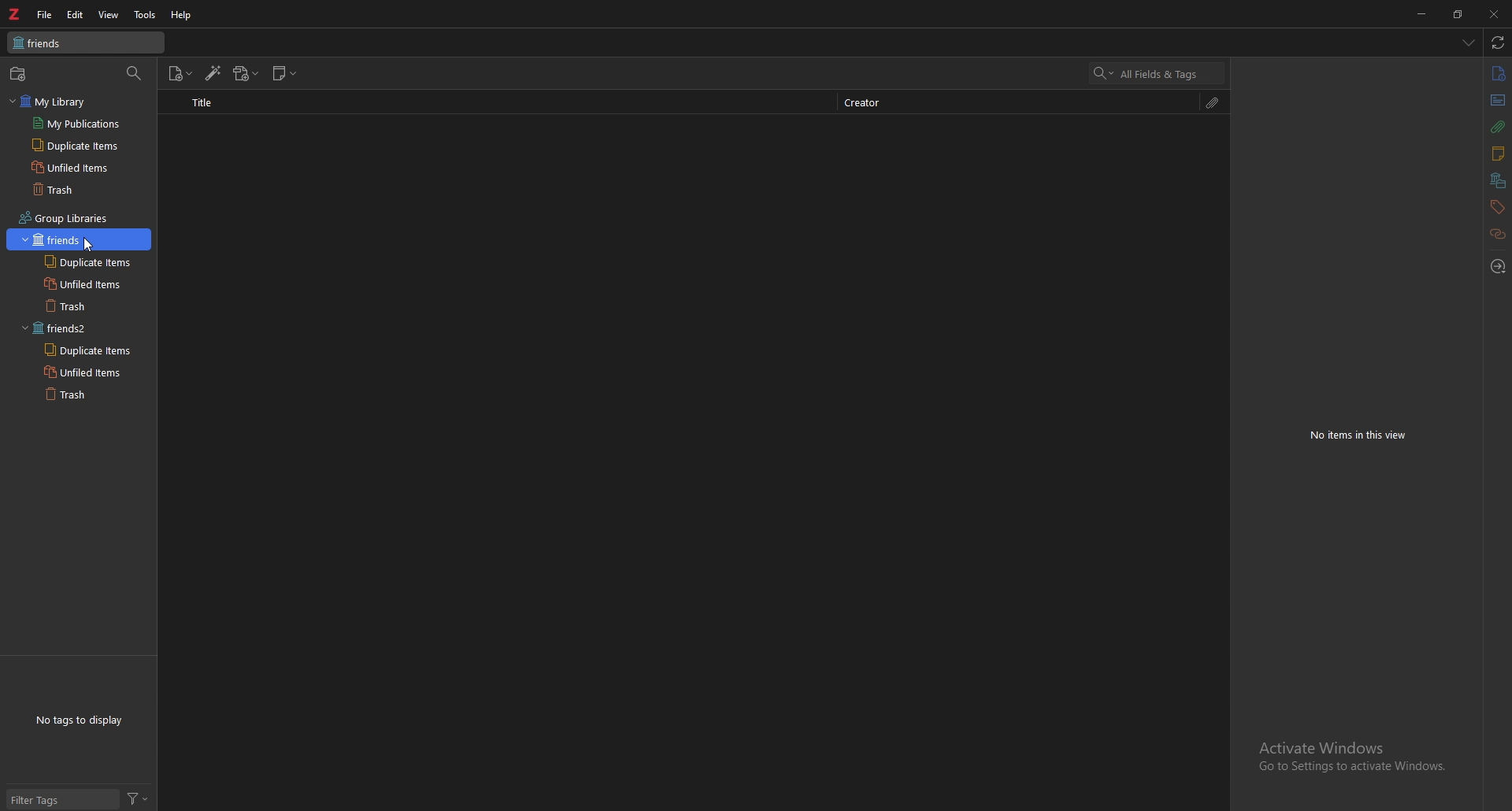 The width and height of the screenshot is (1512, 811). Describe the element at coordinates (1158, 72) in the screenshot. I see `search bar` at that location.